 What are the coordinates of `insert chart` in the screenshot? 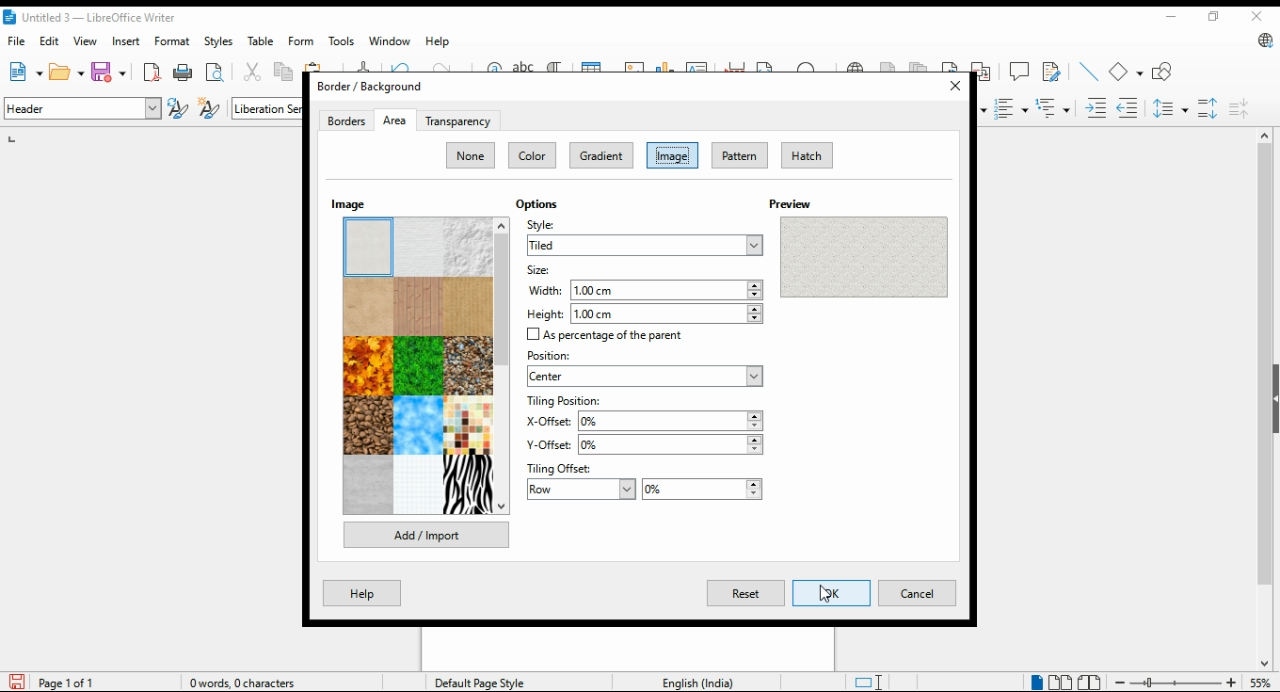 It's located at (666, 66).